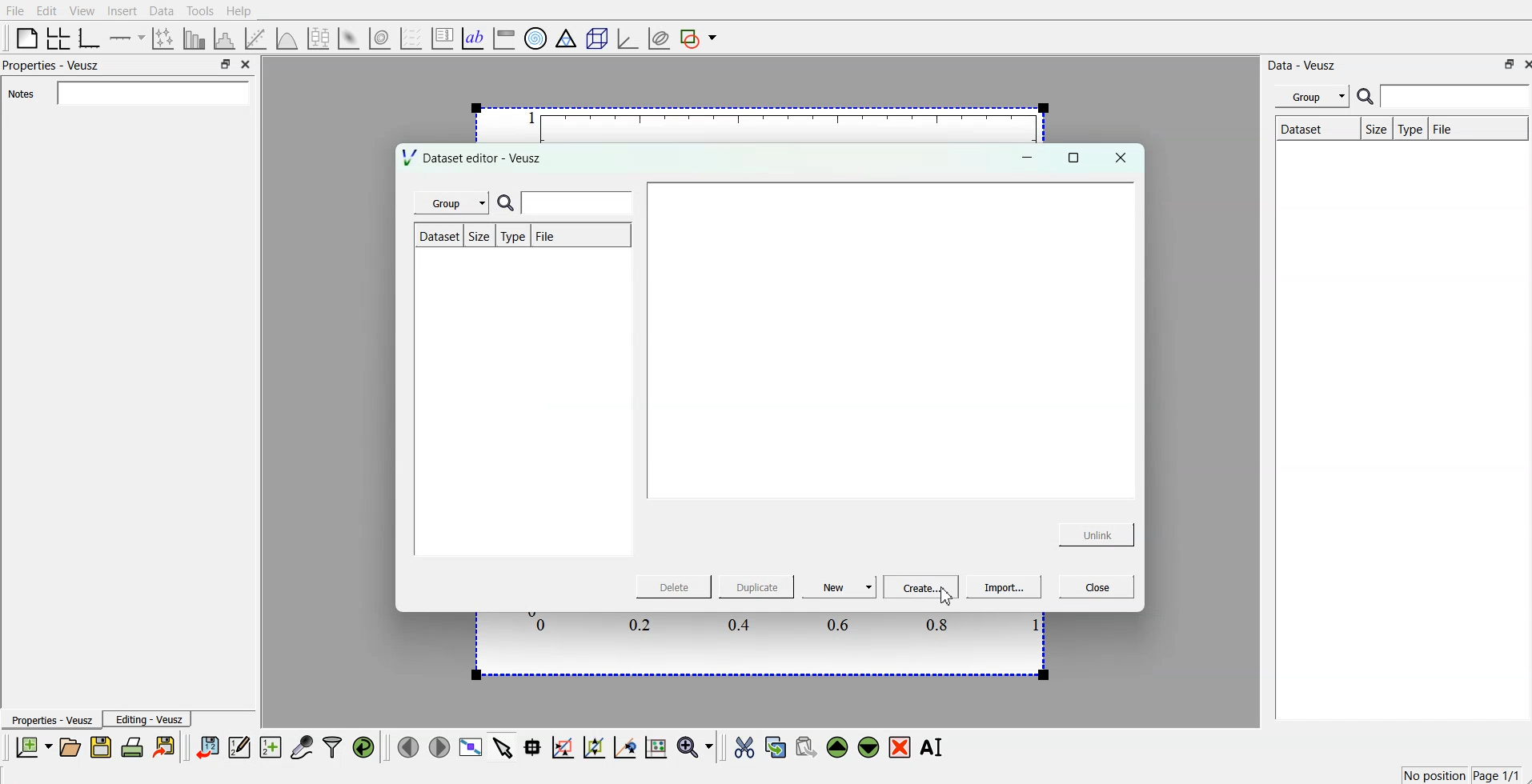  What do you see at coordinates (746, 747) in the screenshot?
I see `cut the selected widgets` at bounding box center [746, 747].